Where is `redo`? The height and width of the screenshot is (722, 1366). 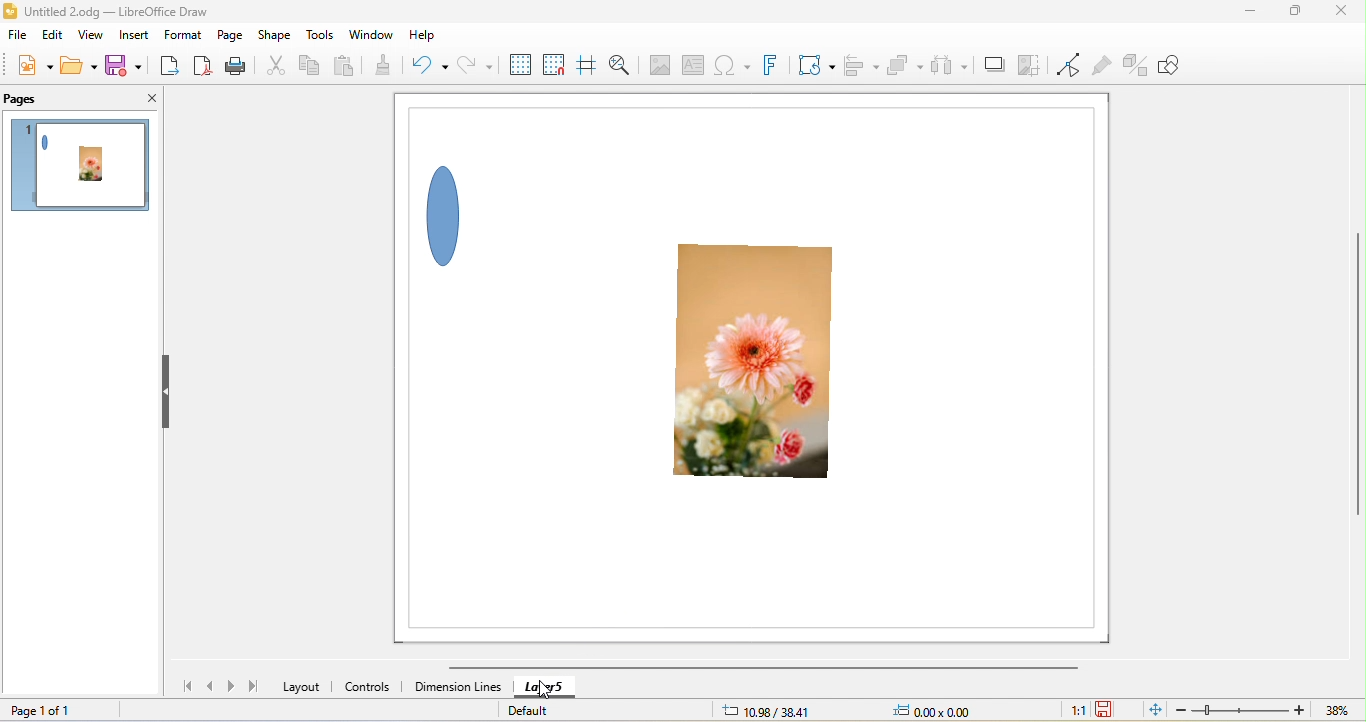 redo is located at coordinates (471, 68).